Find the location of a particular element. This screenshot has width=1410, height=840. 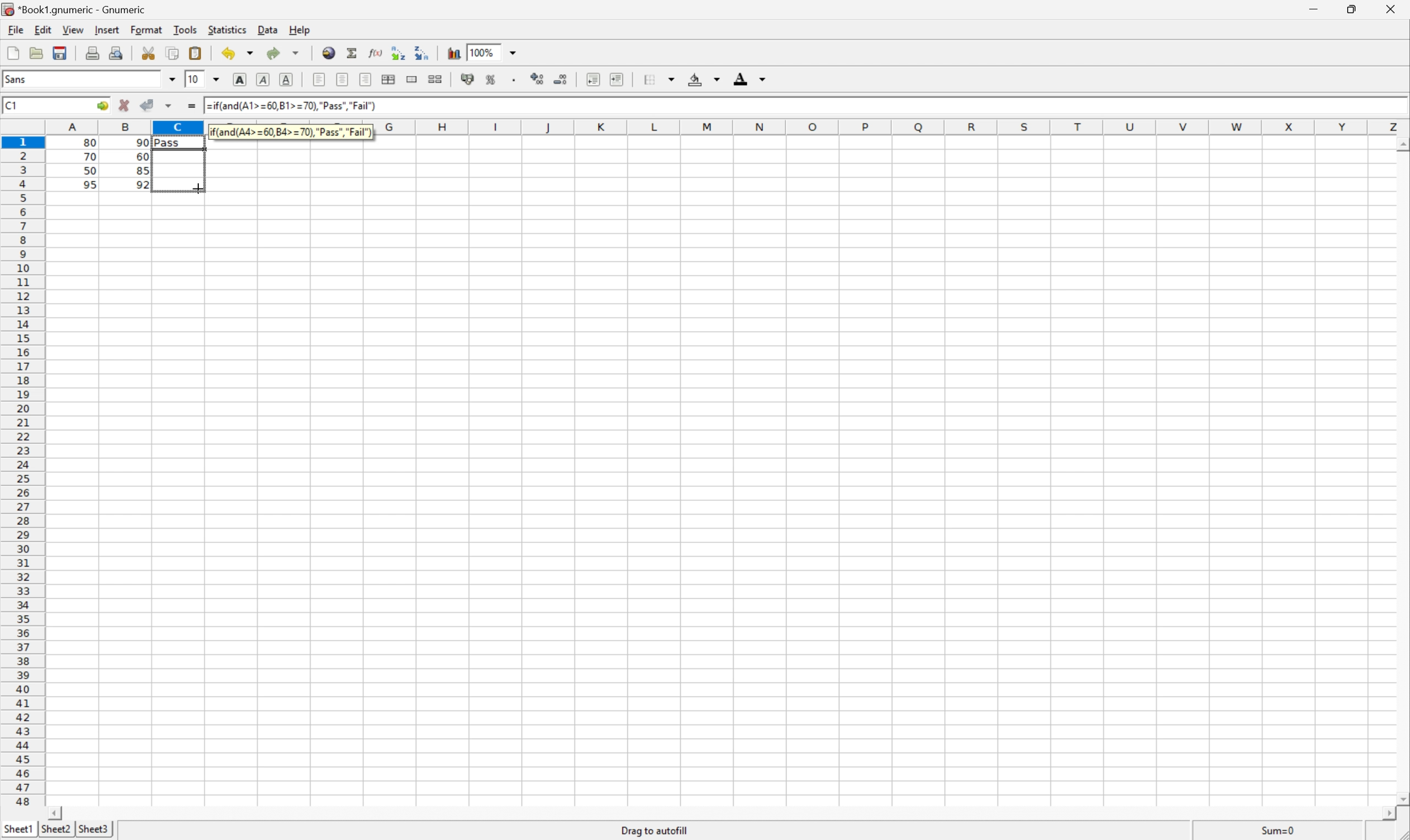

Save the current file is located at coordinates (59, 52).